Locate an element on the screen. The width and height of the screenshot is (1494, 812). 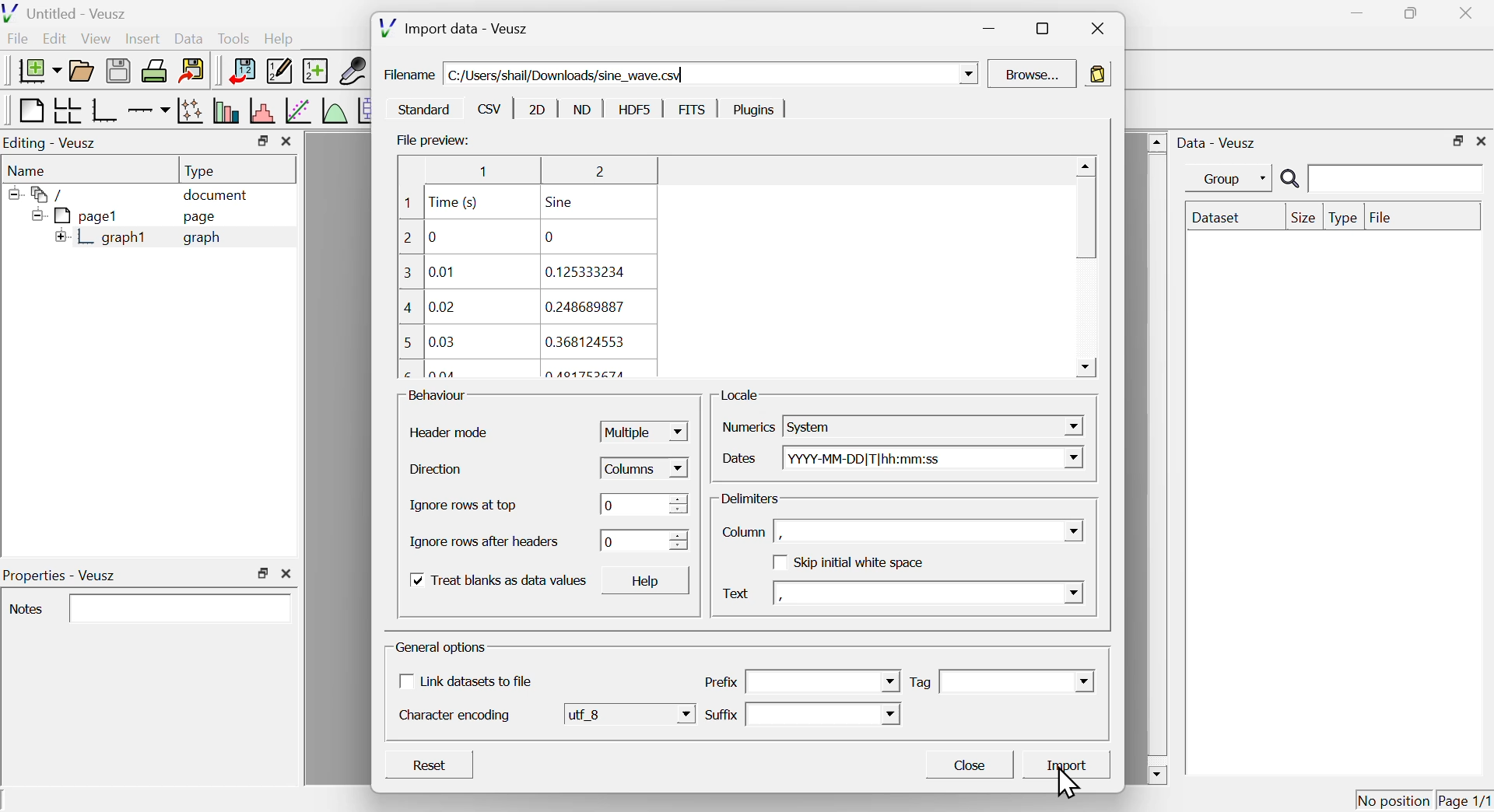
0 is located at coordinates (644, 541).